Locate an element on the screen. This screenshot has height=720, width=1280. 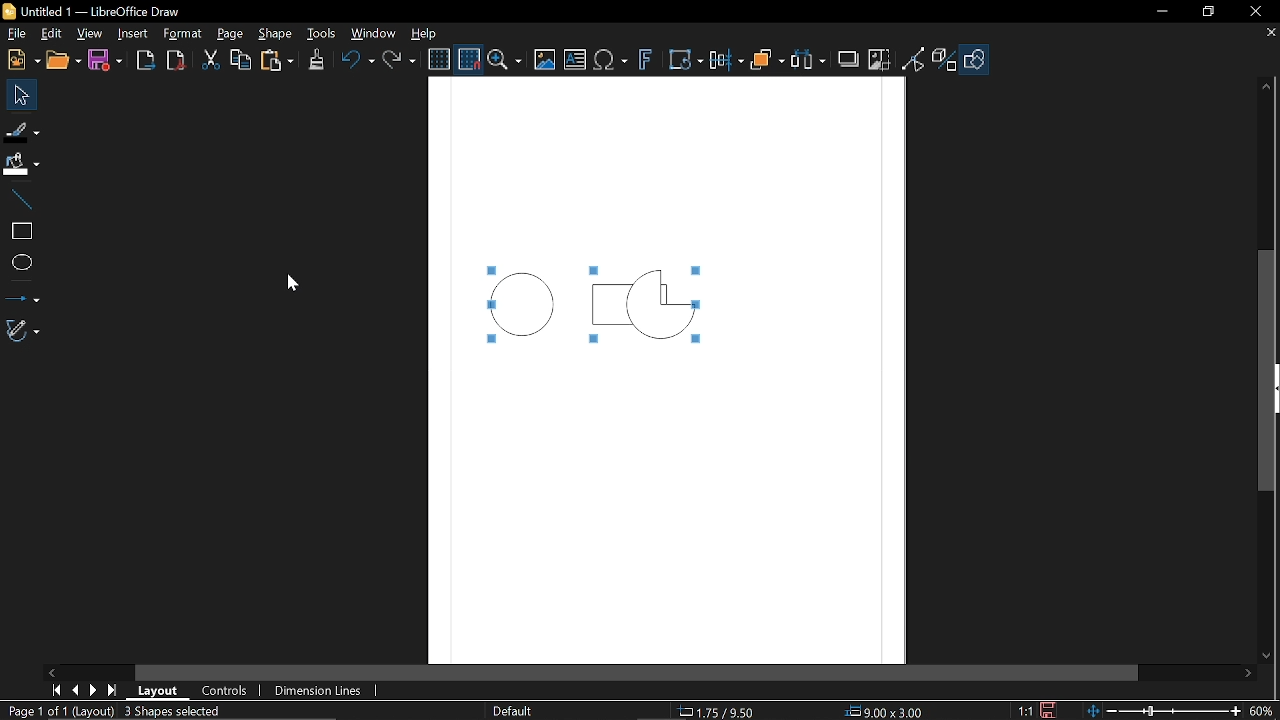
Insert text is located at coordinates (574, 60).